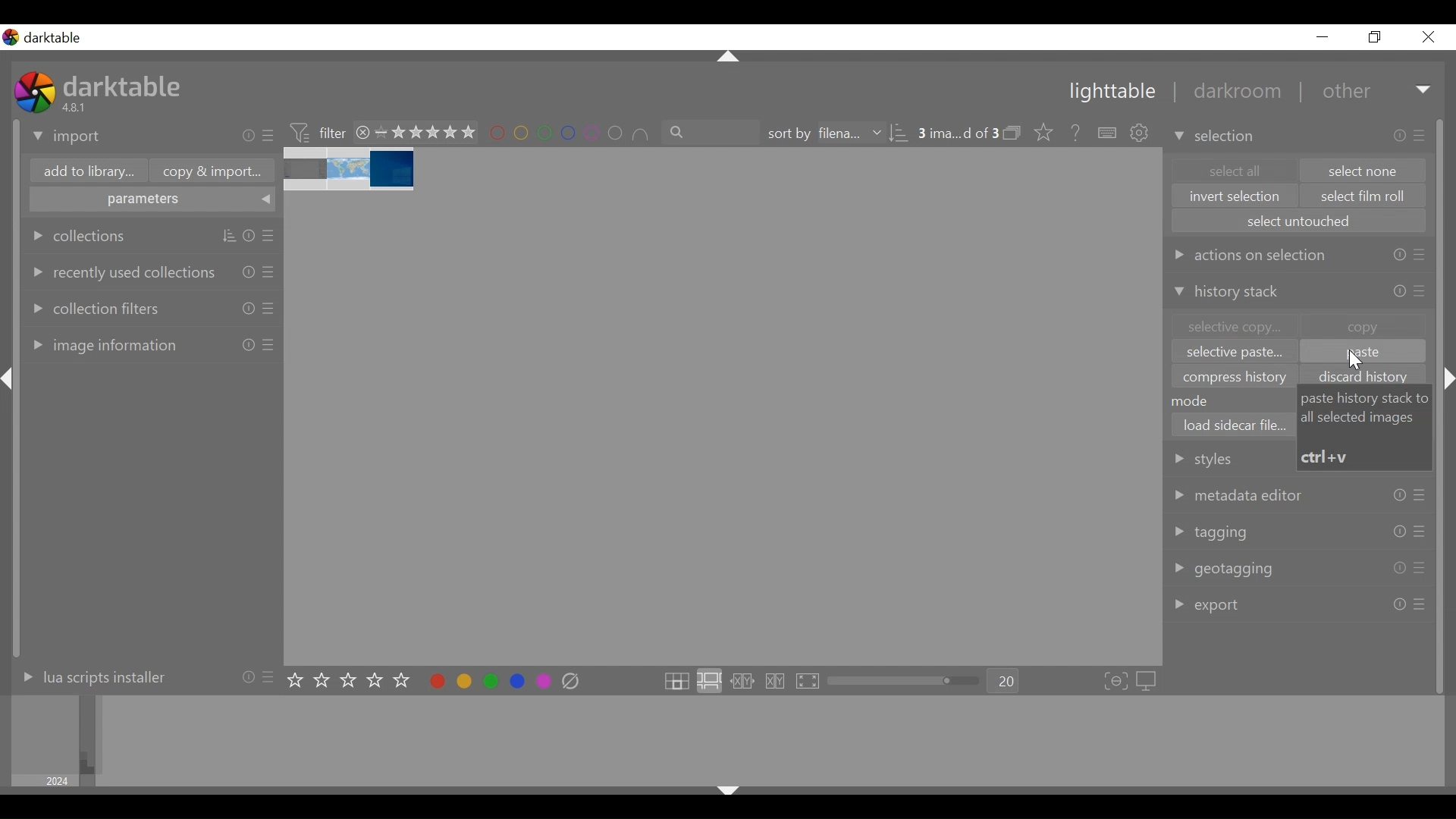  What do you see at coordinates (904, 681) in the screenshot?
I see `zoom` at bounding box center [904, 681].